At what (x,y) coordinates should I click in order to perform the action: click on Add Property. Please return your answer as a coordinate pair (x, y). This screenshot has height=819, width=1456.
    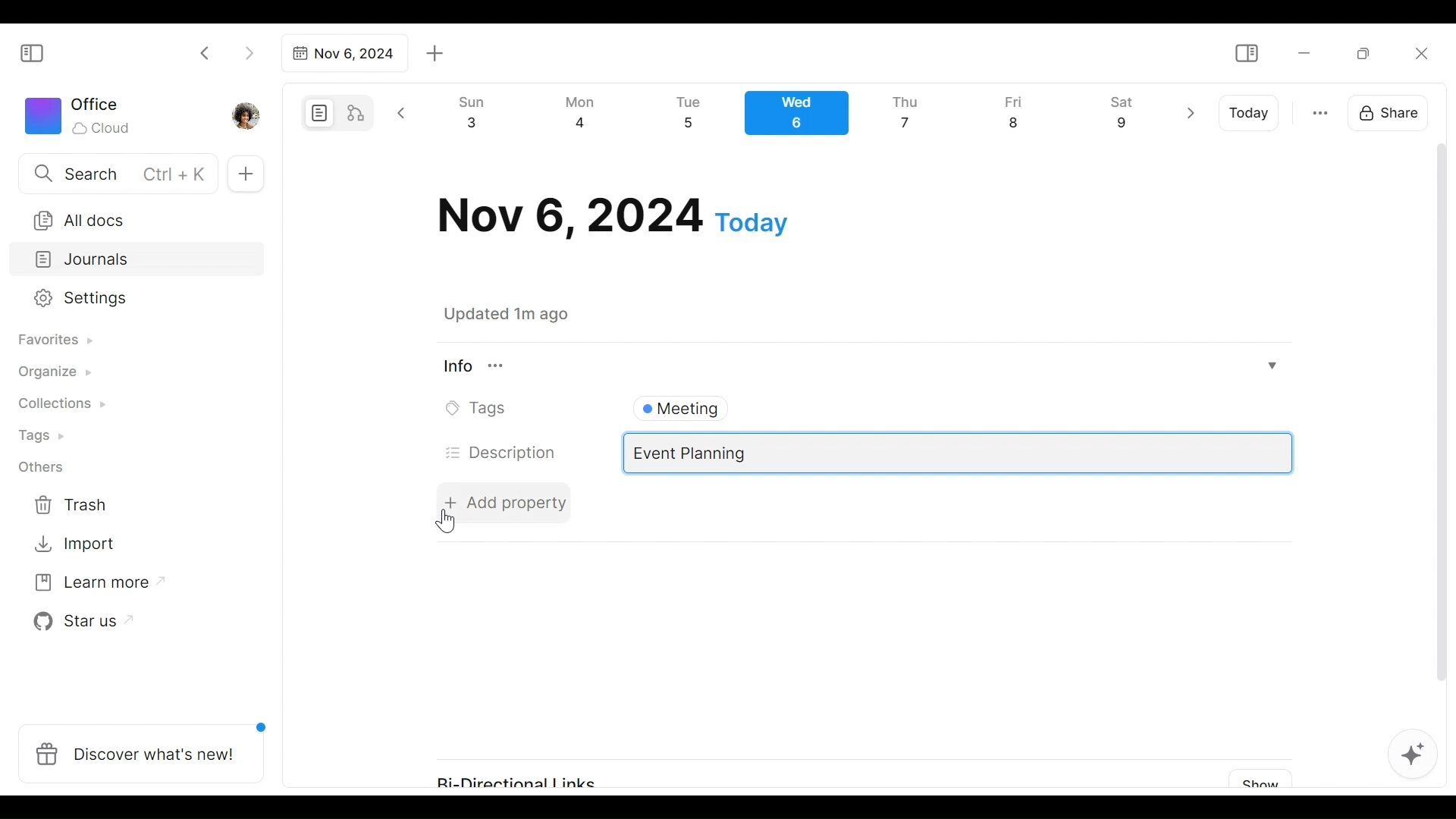
    Looking at the image, I should click on (506, 502).